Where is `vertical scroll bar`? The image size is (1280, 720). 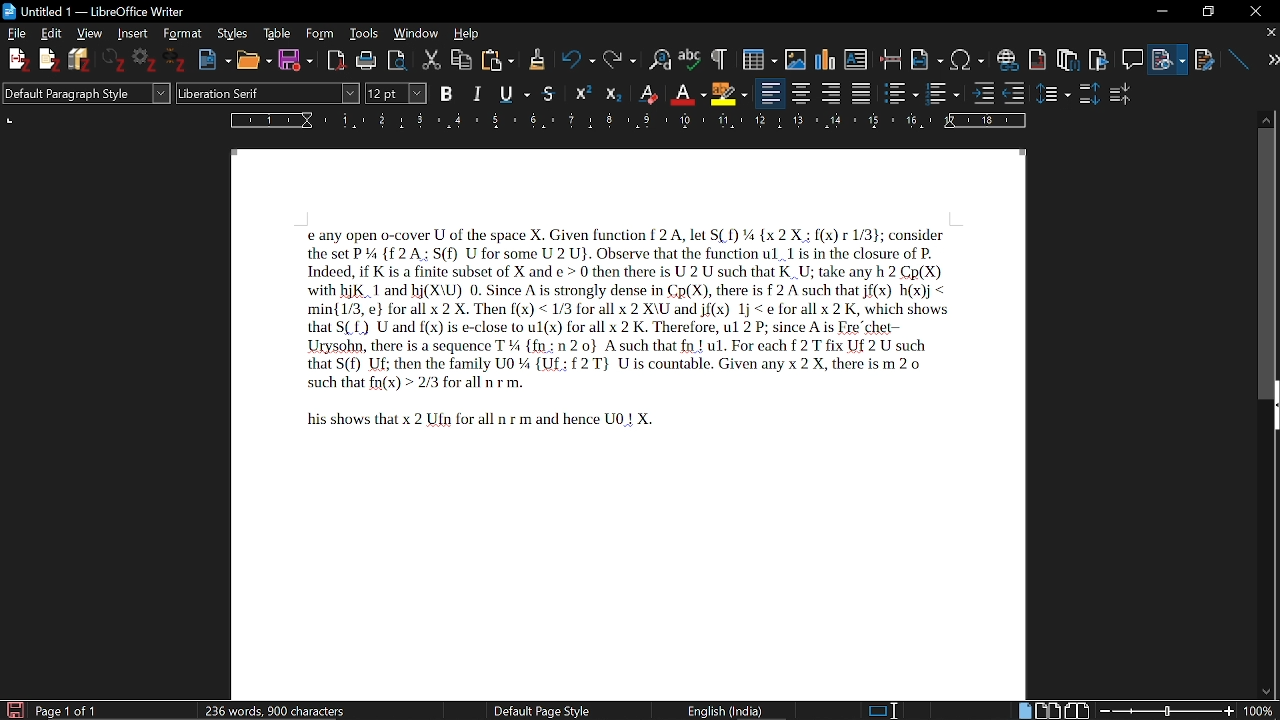 vertical scroll bar is located at coordinates (1267, 262).